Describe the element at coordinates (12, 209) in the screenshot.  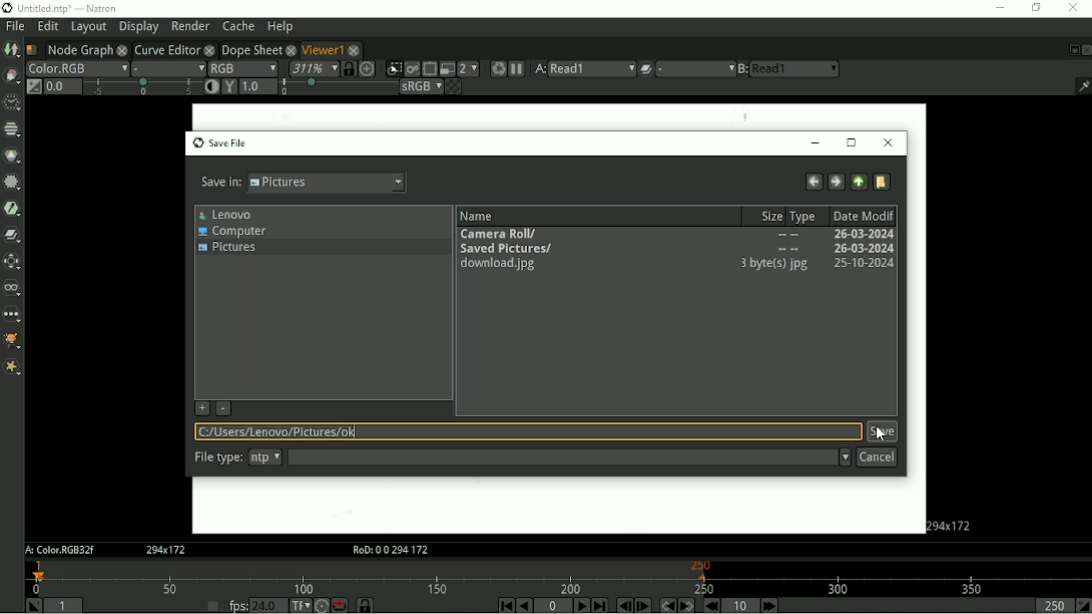
I see `Keyer` at that location.